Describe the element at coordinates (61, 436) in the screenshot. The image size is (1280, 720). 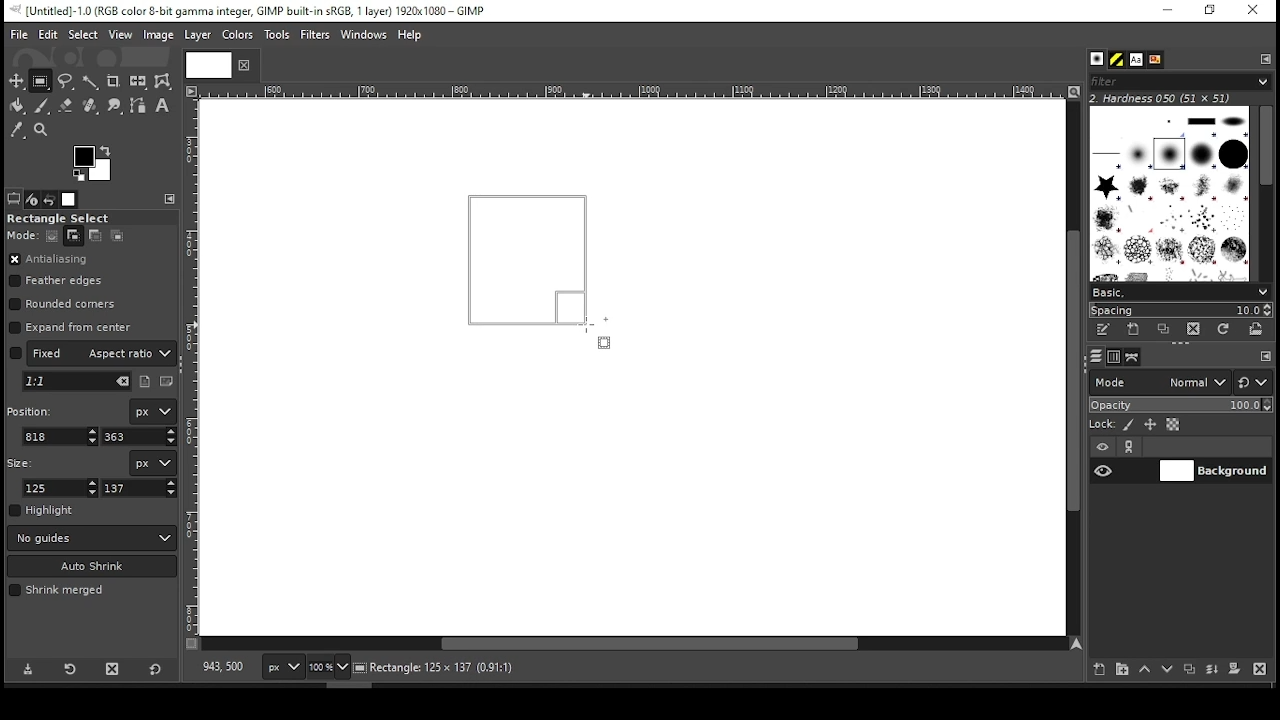
I see `x` at that location.